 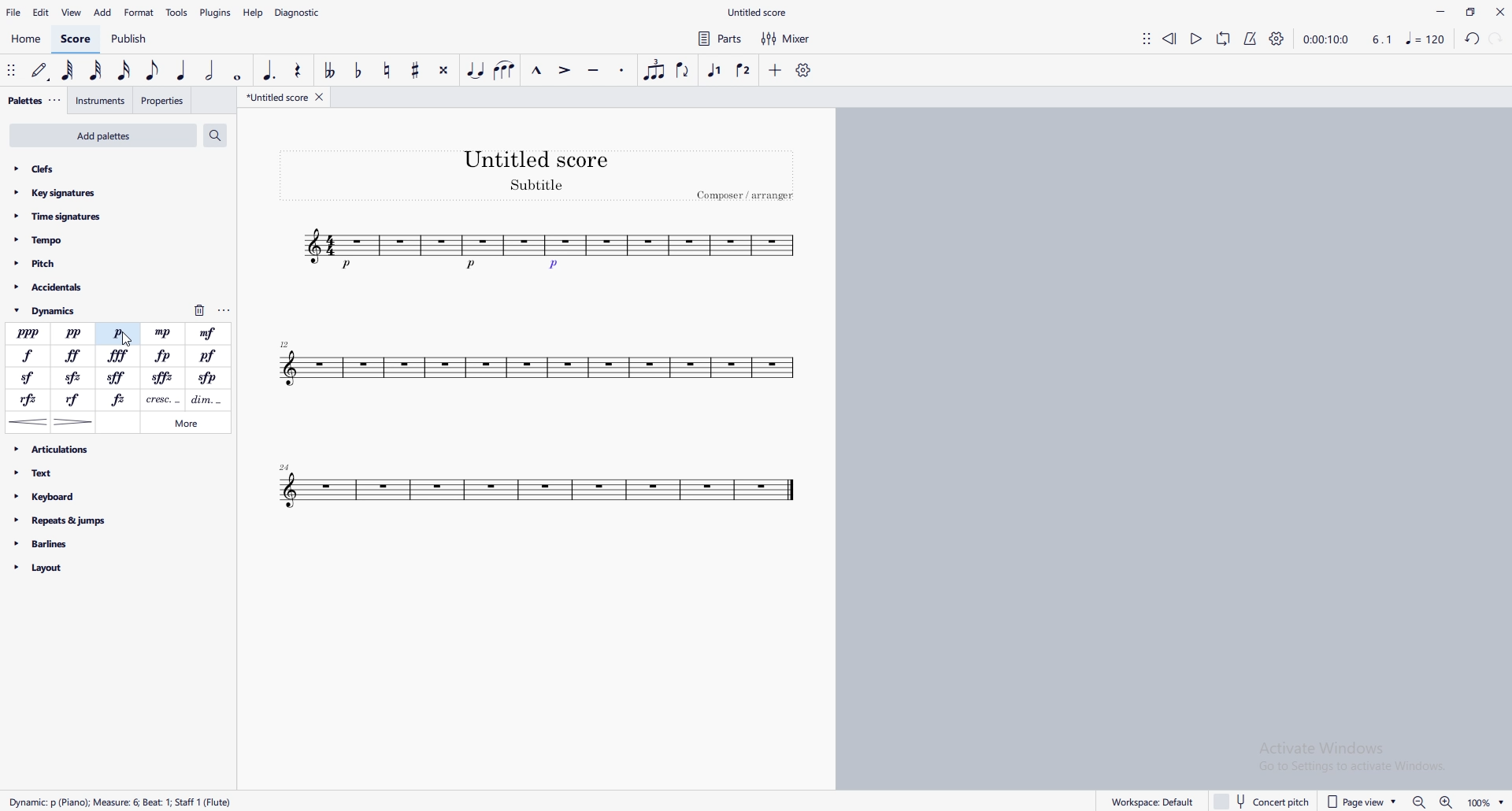 What do you see at coordinates (1380, 38) in the screenshot?
I see `4.1` at bounding box center [1380, 38].